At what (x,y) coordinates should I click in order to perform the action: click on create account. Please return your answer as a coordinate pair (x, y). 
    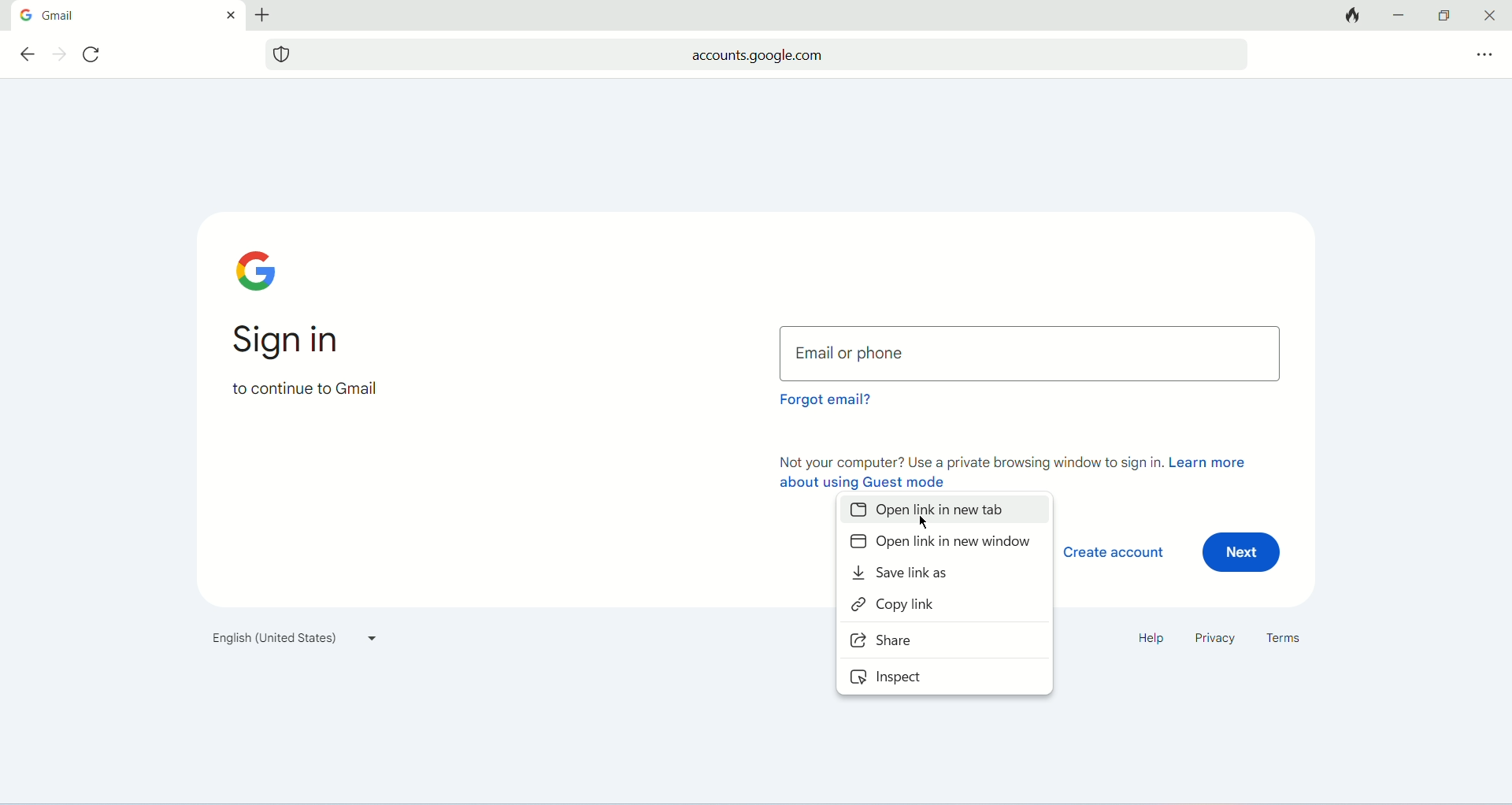
    Looking at the image, I should click on (1113, 553).